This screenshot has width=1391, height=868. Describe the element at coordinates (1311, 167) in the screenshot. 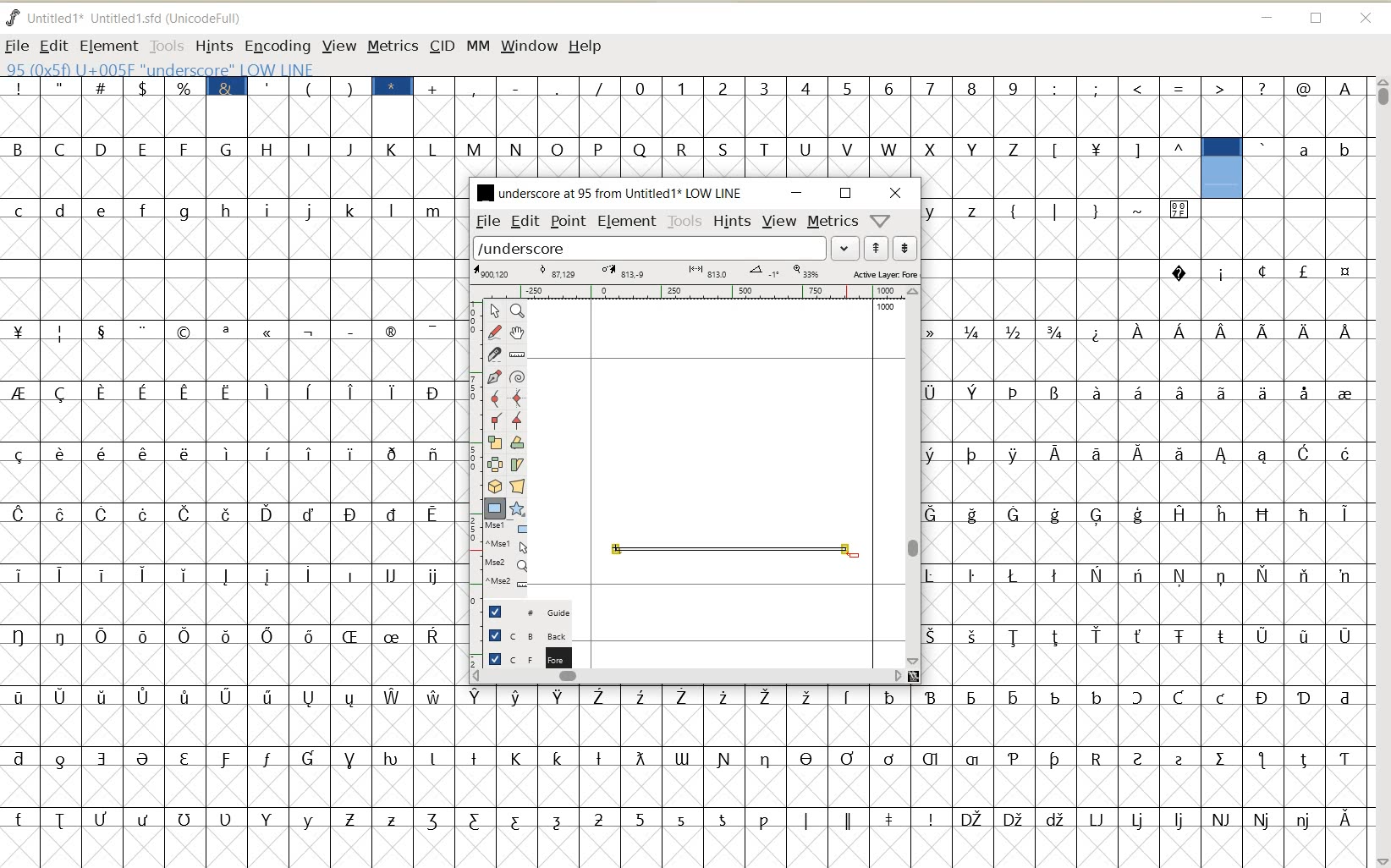

I see `GLYPHY CHARACTERS` at that location.